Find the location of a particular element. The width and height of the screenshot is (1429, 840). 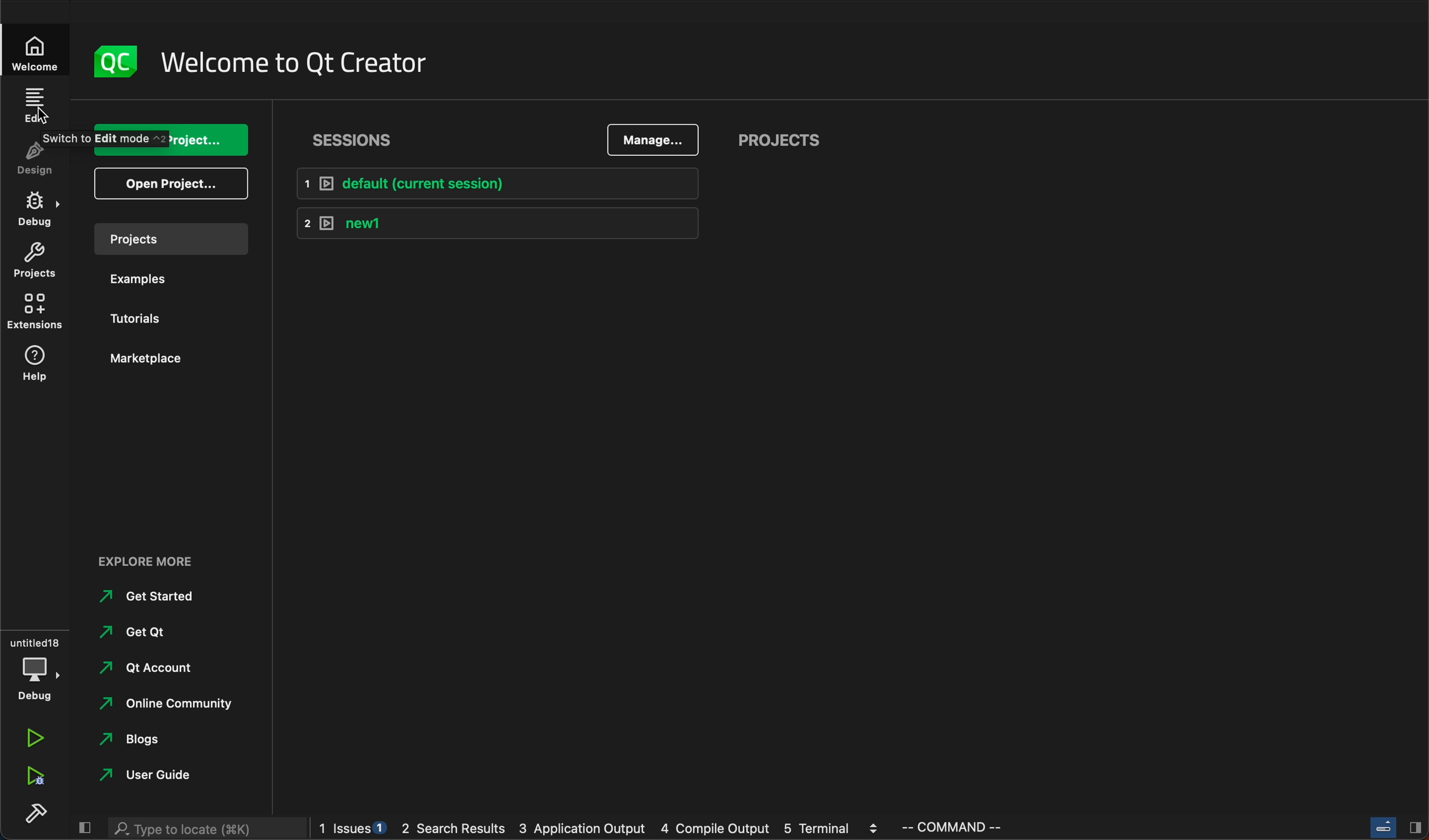

debug is located at coordinates (37, 206).